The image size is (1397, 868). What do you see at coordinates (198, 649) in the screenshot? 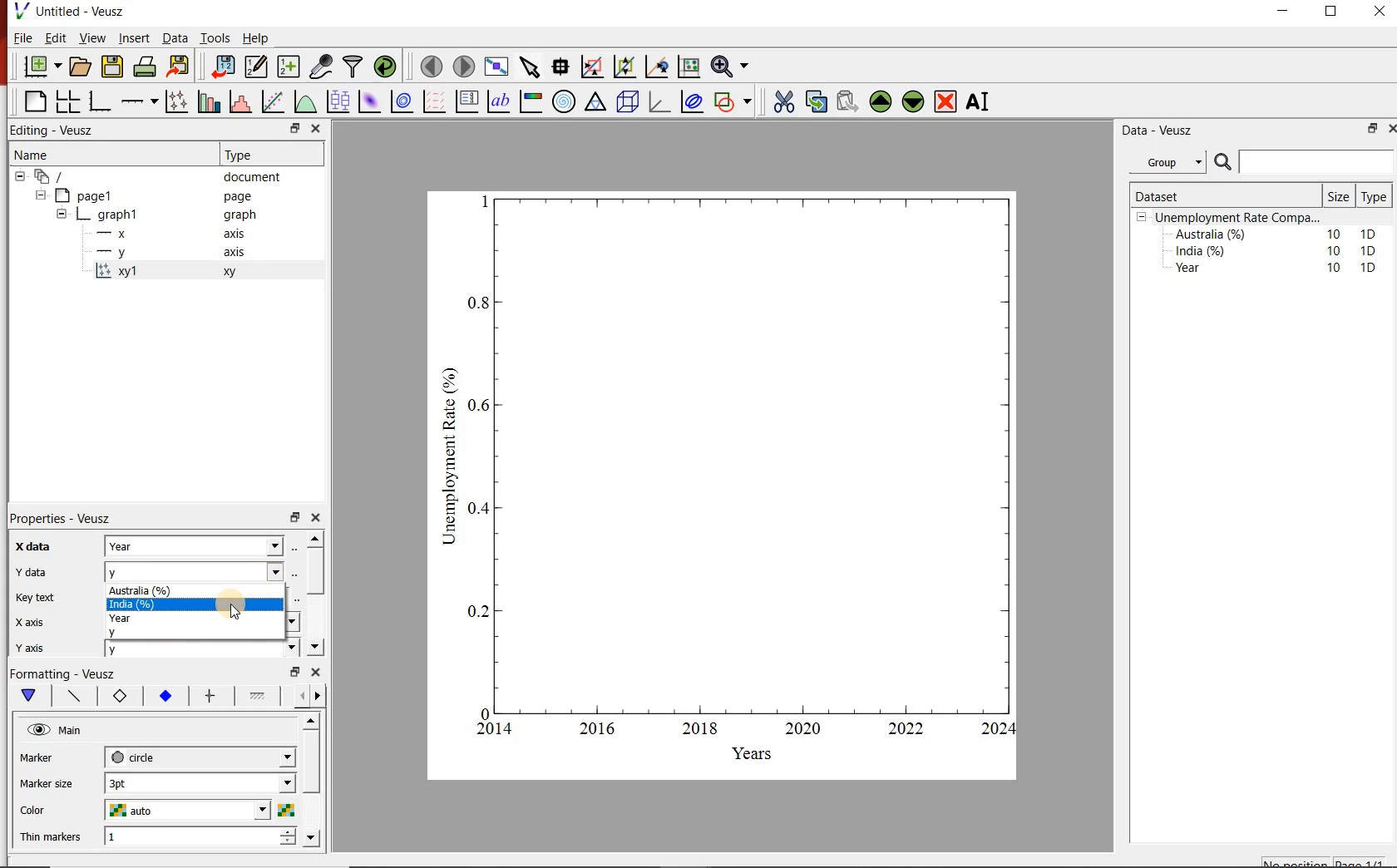
I see `y` at bounding box center [198, 649].